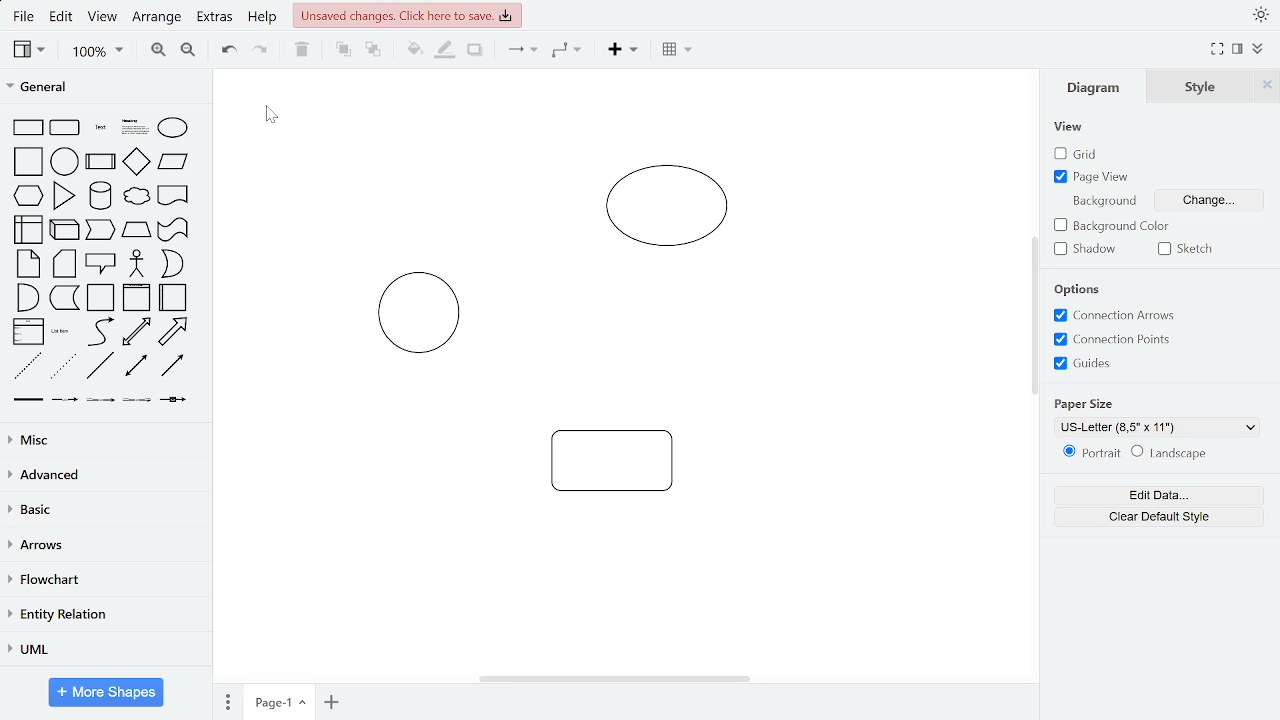  I want to click on internal storage, so click(31, 229).